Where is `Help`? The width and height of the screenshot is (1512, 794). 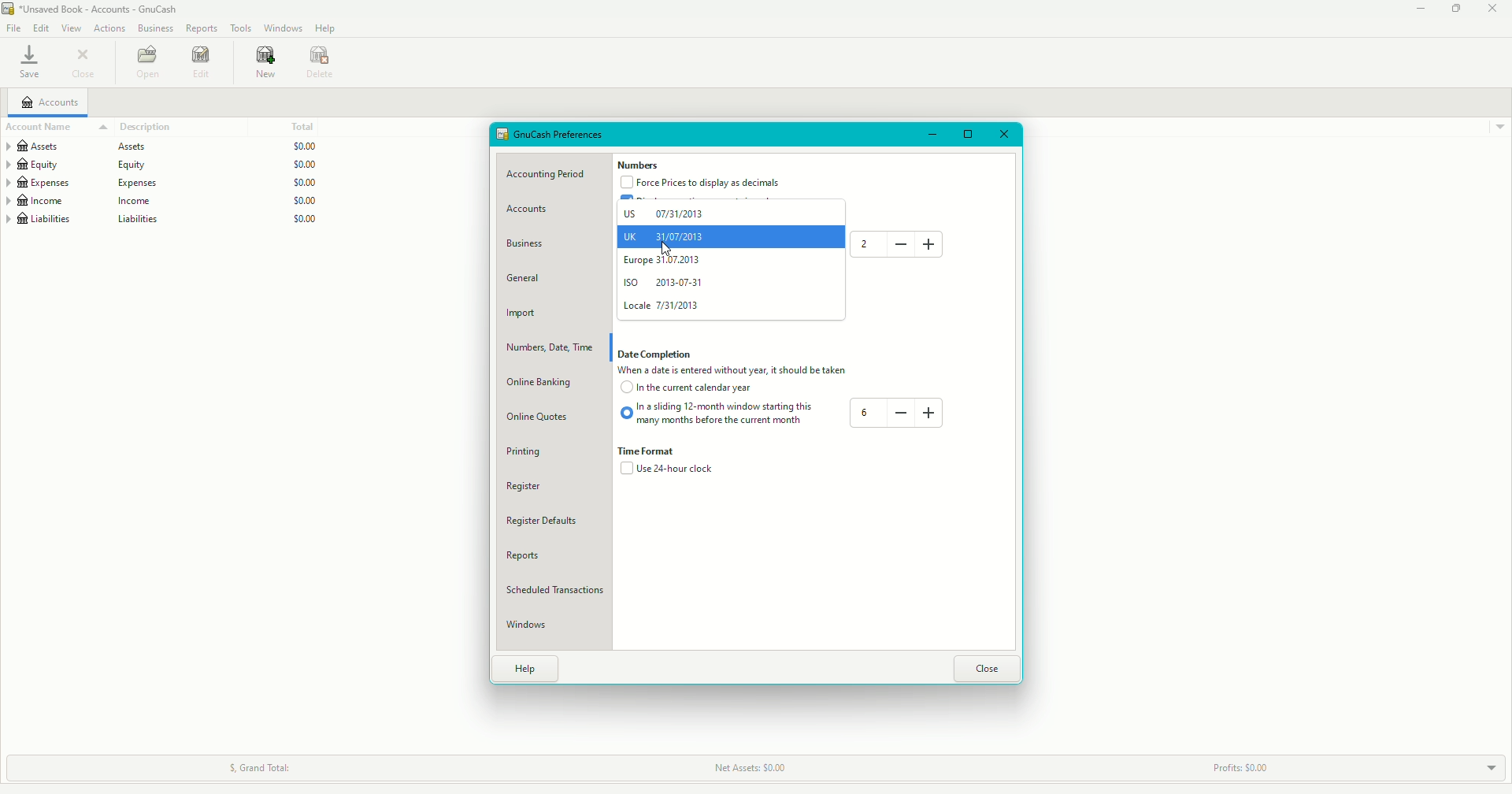
Help is located at coordinates (529, 669).